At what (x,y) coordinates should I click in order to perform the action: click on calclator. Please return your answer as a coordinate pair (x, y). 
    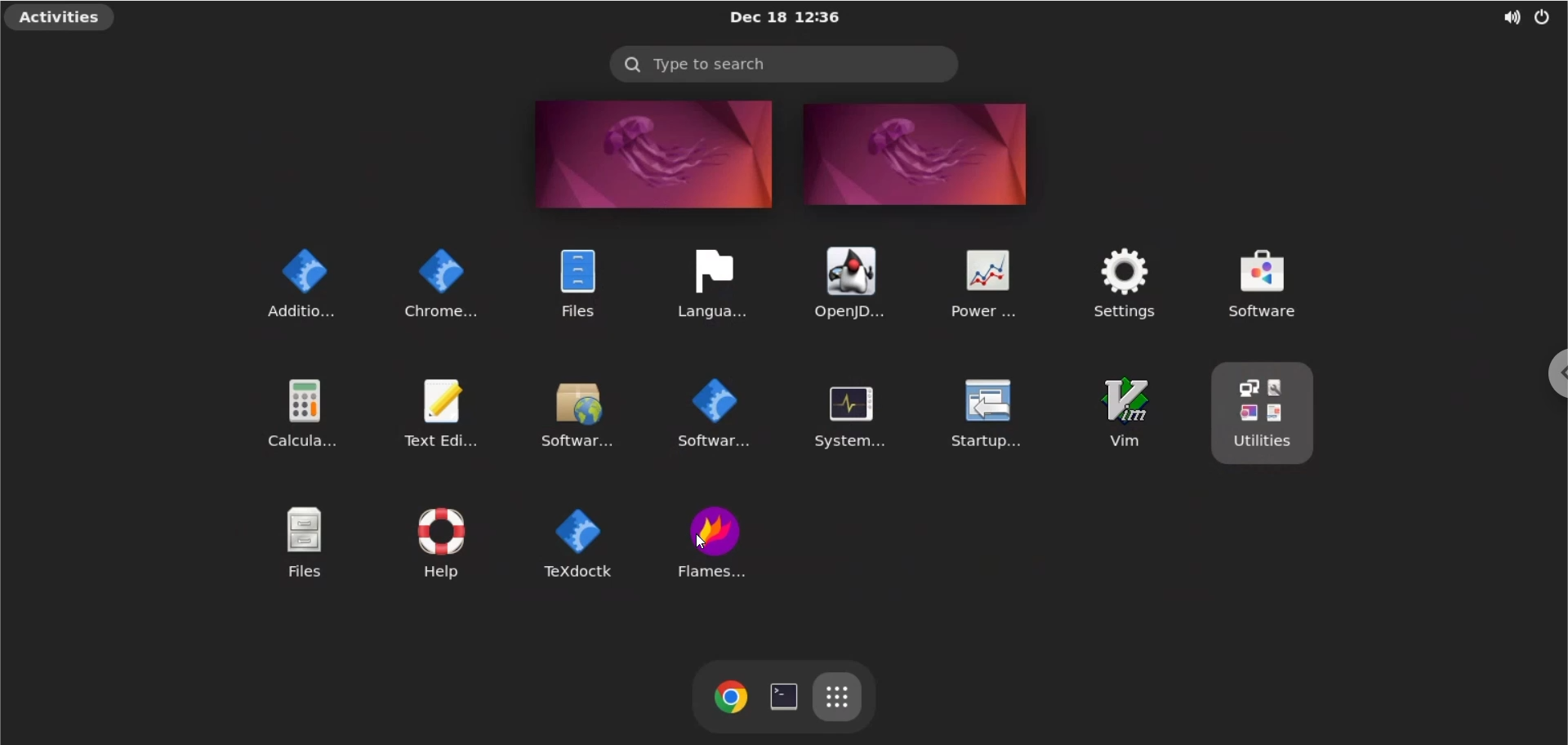
    Looking at the image, I should click on (301, 408).